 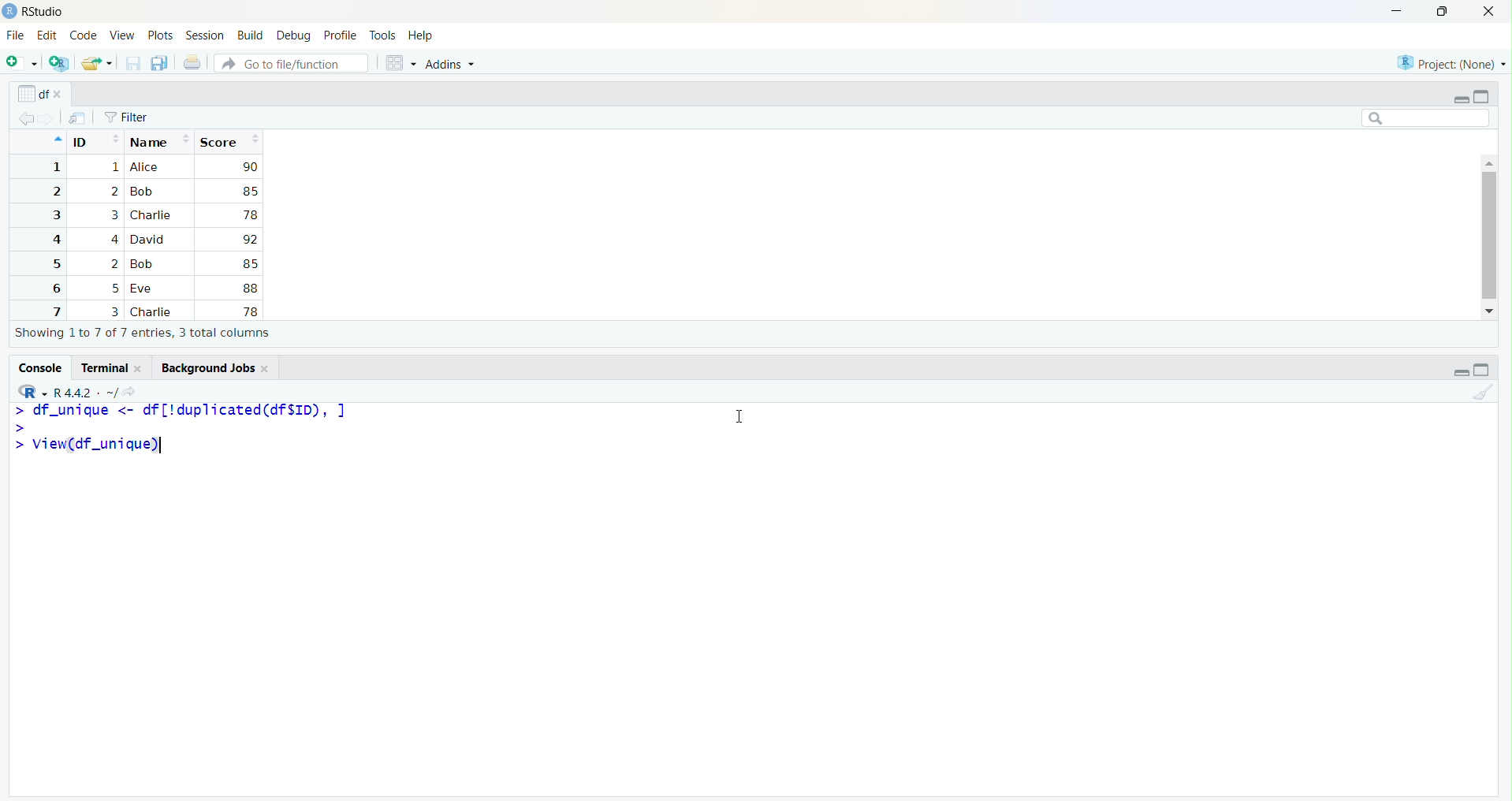 What do you see at coordinates (1488, 235) in the screenshot?
I see `scroll bar` at bounding box center [1488, 235].